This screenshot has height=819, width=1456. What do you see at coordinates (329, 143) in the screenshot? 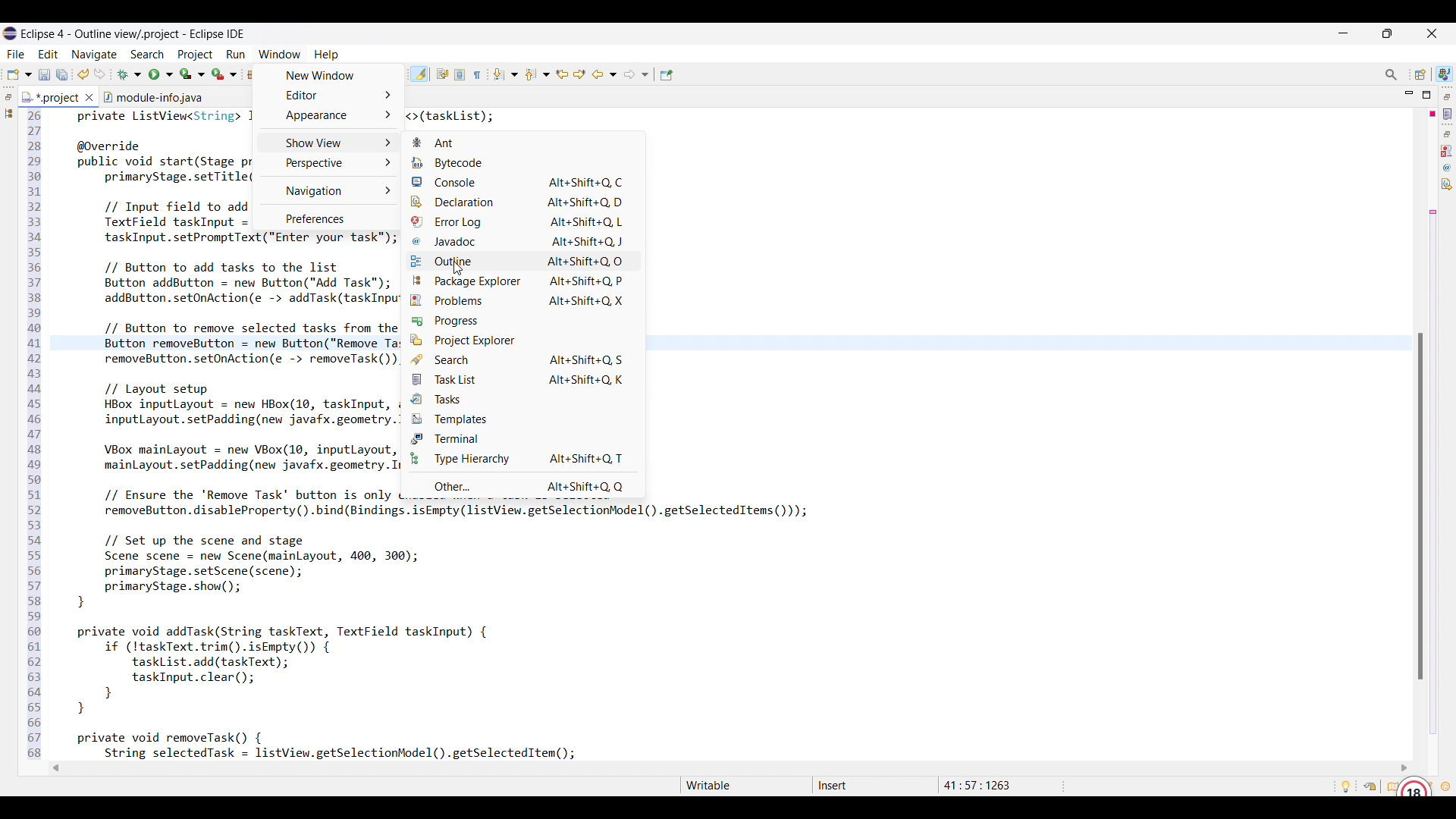
I see `Show view options` at bounding box center [329, 143].